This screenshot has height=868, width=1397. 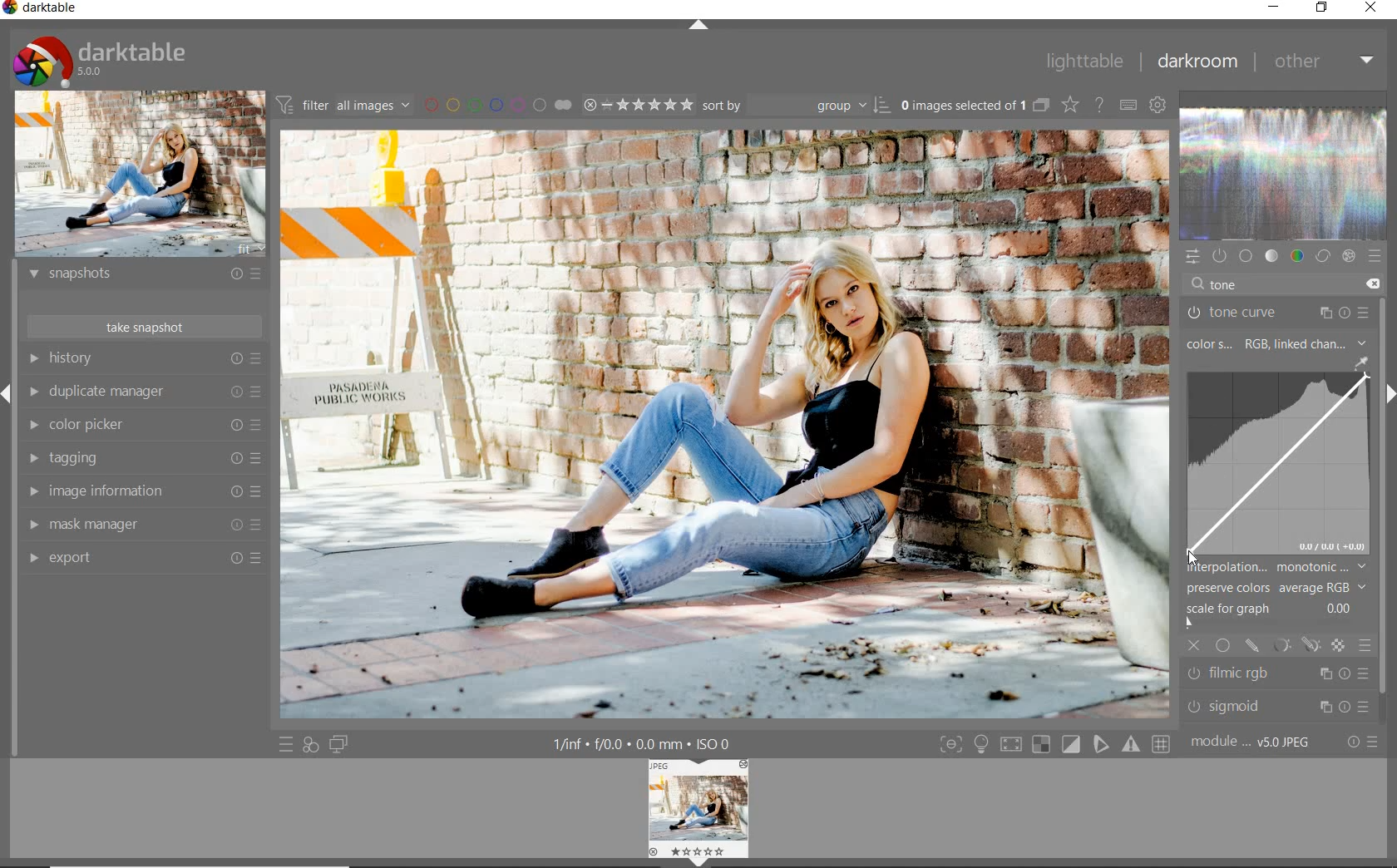 What do you see at coordinates (1195, 561) in the screenshot?
I see `cursor position at black point` at bounding box center [1195, 561].